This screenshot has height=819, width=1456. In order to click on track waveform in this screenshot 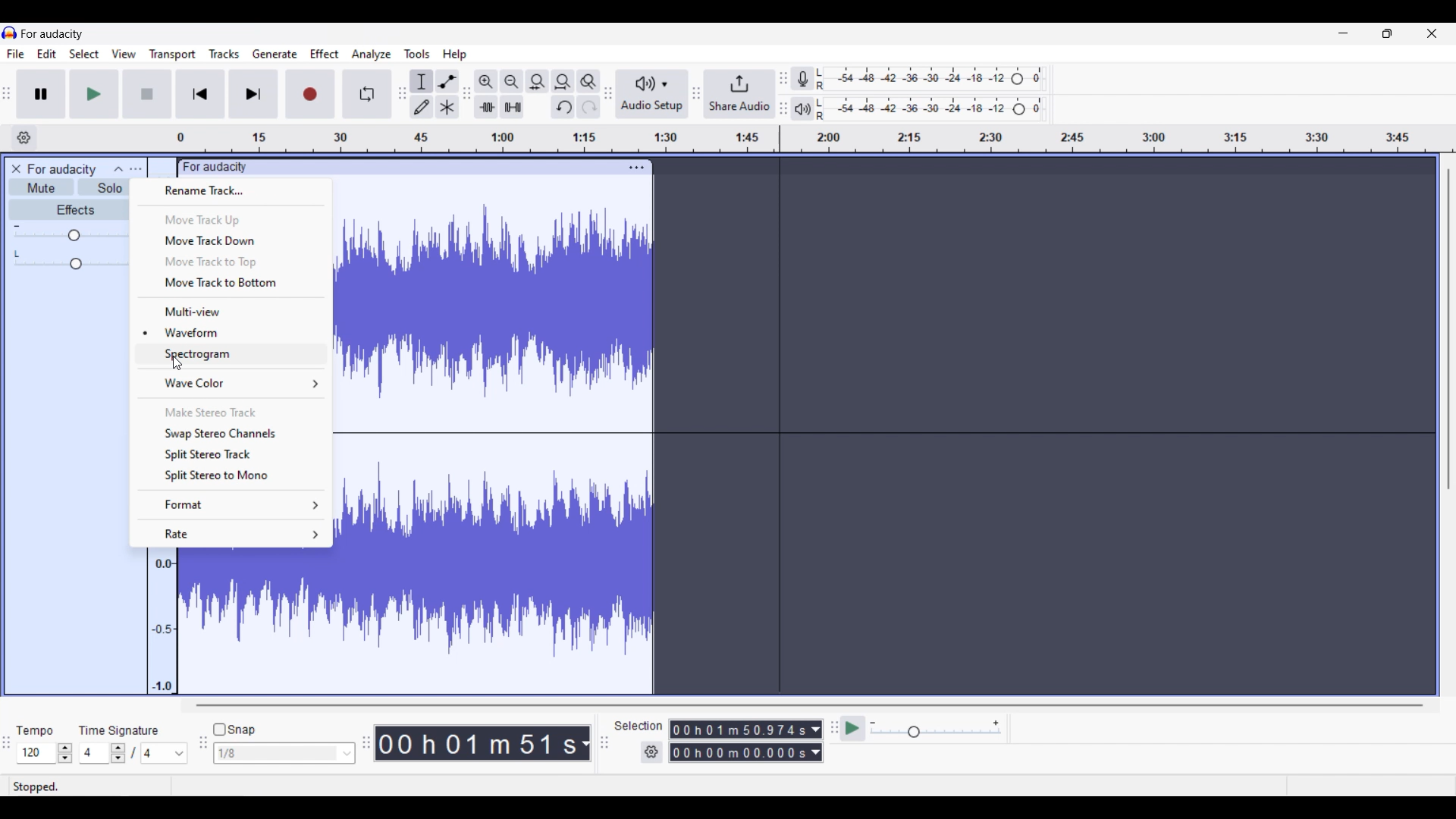, I will do `click(258, 620)`.